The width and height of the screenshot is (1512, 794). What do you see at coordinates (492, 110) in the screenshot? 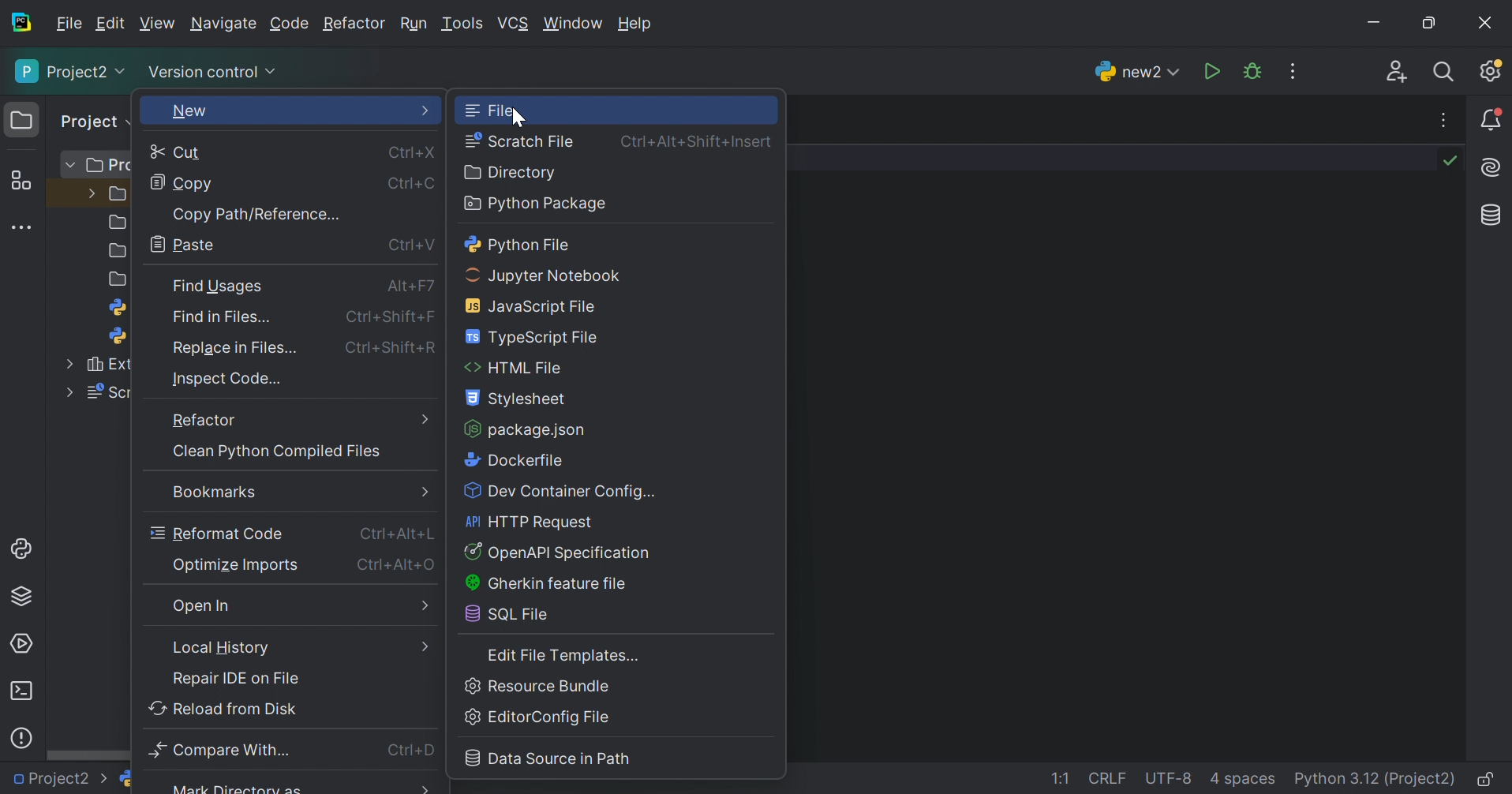
I see `File` at bounding box center [492, 110].